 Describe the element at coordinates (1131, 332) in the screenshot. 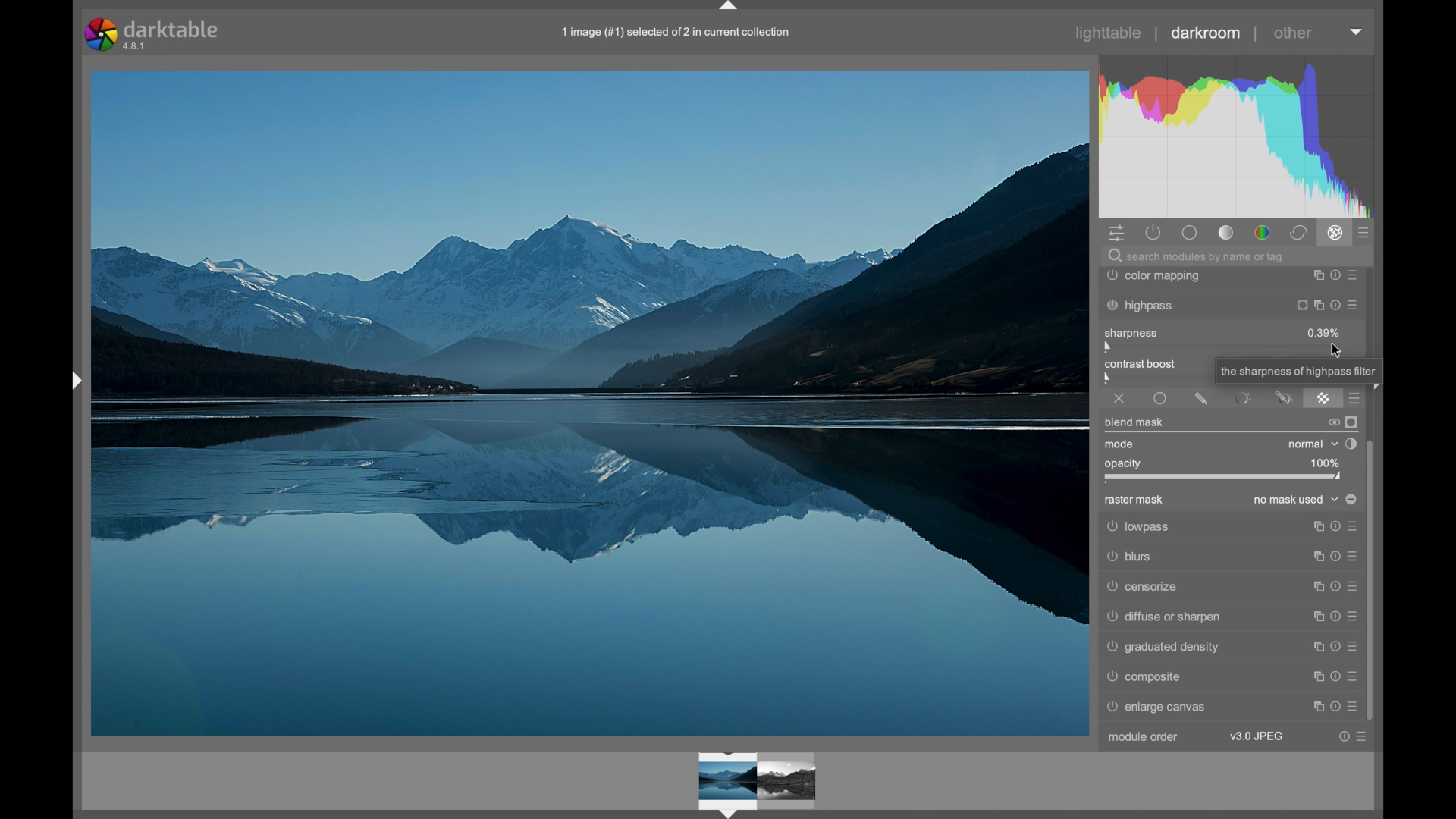

I see `sharpness` at that location.